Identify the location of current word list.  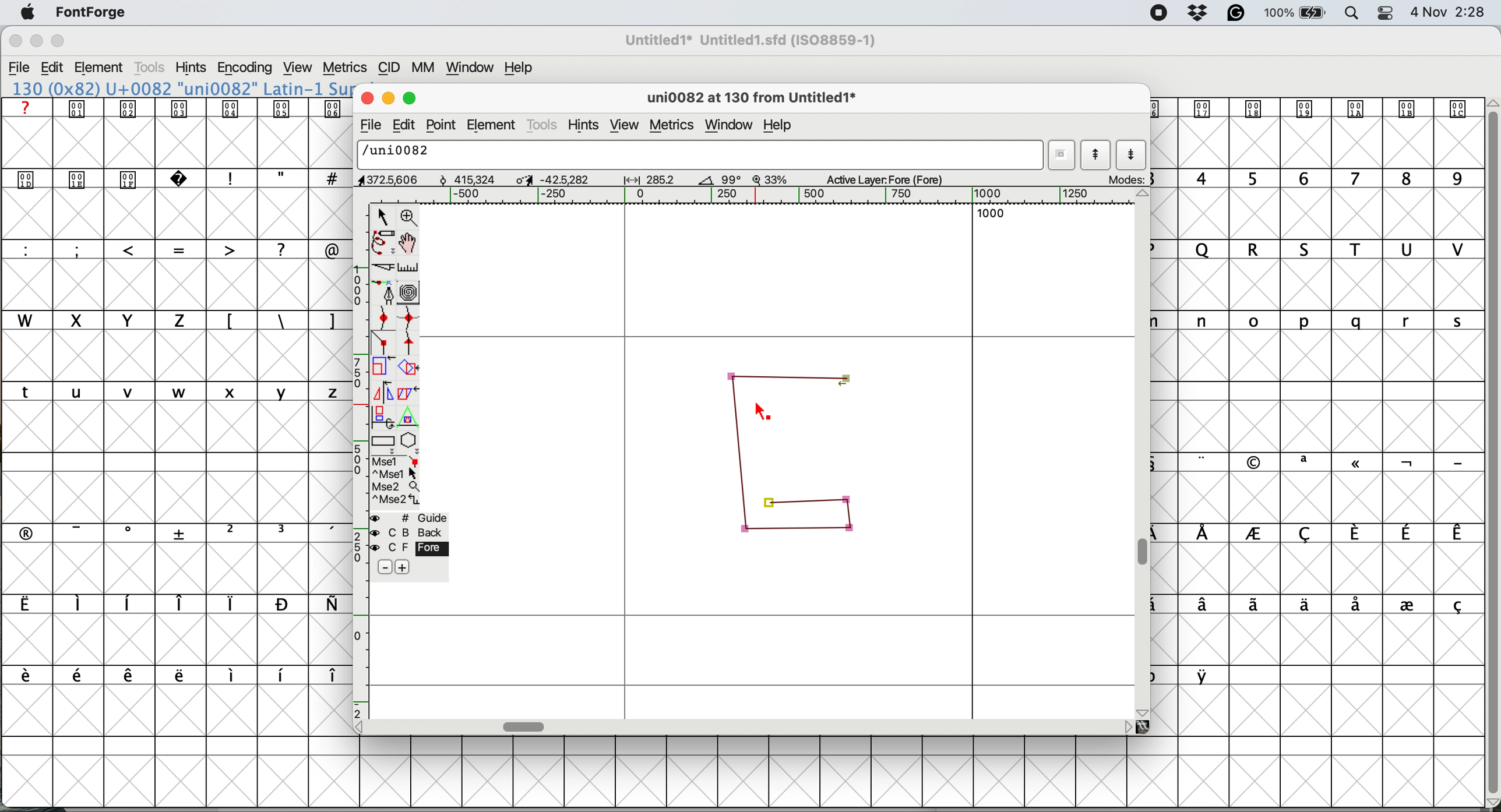
(1060, 155).